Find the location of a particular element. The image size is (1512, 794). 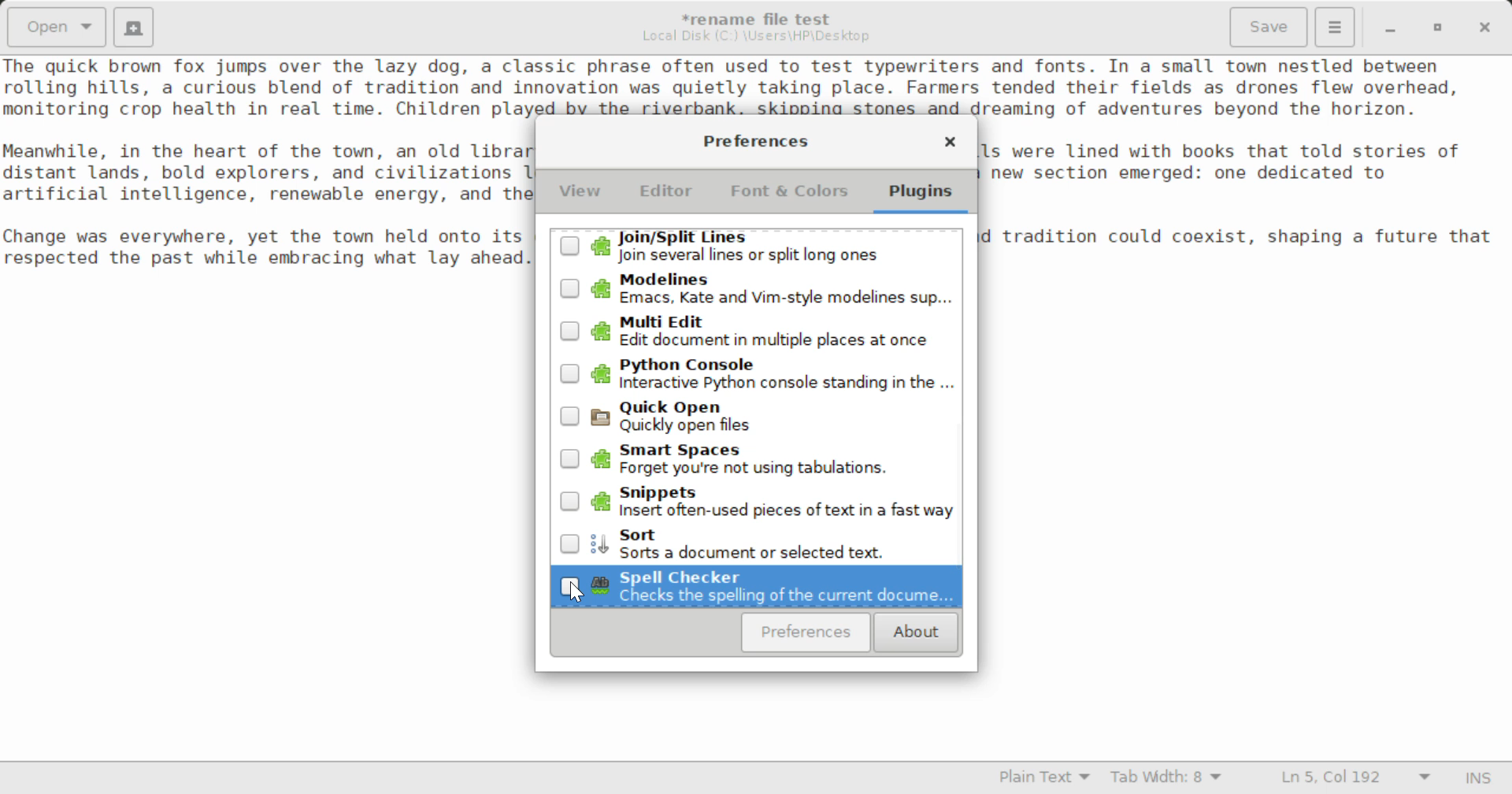

Selected Language is located at coordinates (1045, 779).